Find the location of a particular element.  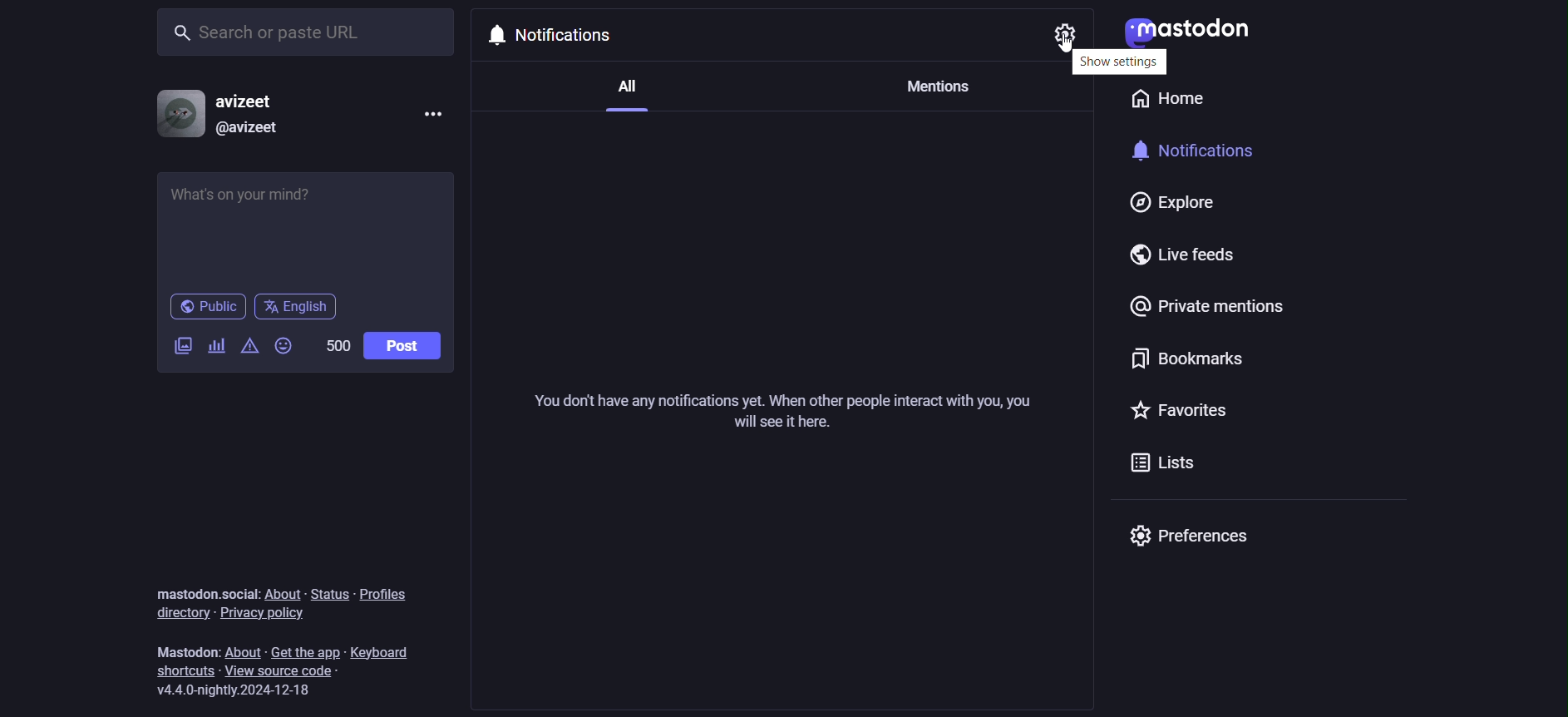

status is located at coordinates (328, 593).